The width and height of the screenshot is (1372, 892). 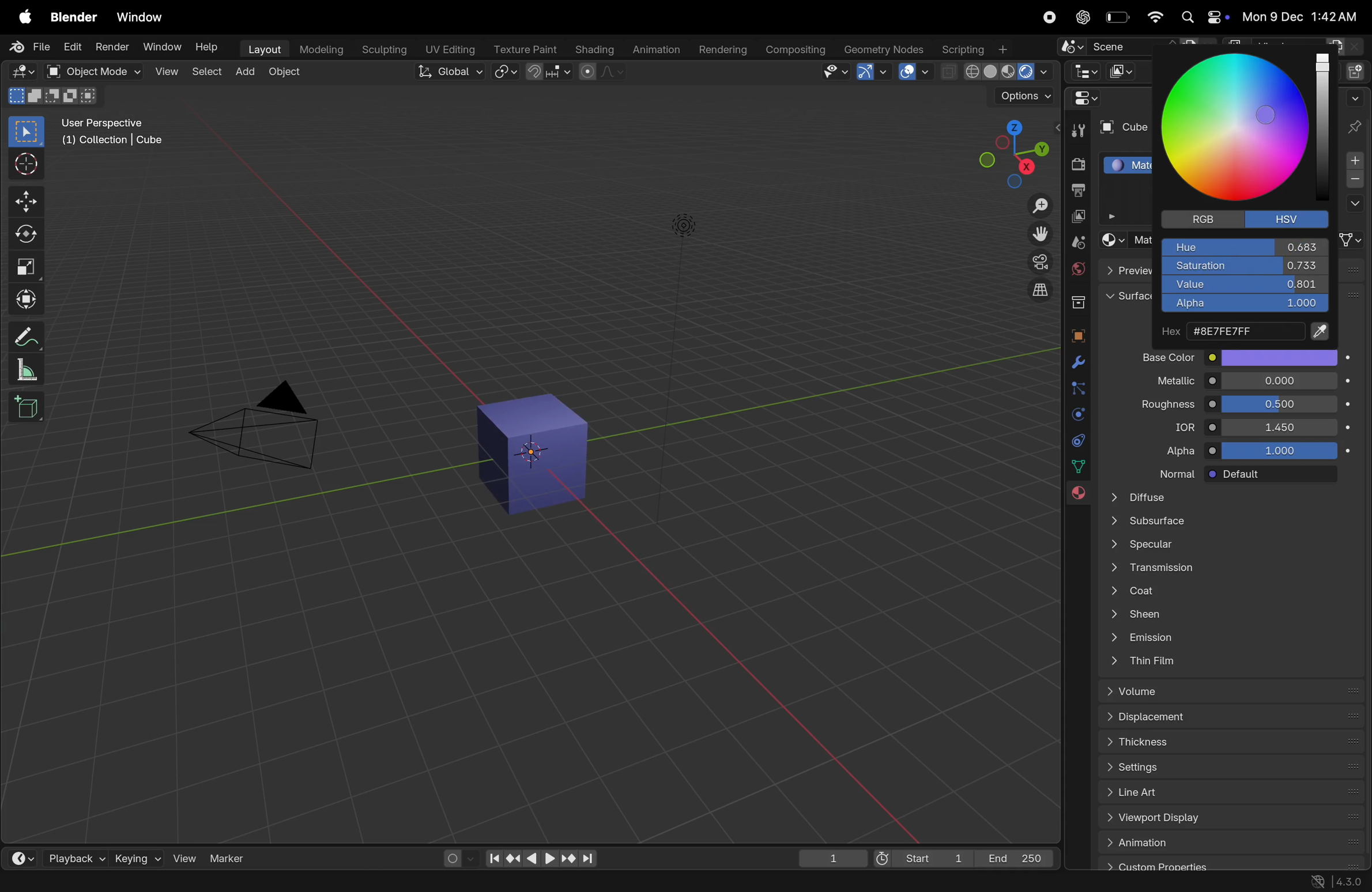 What do you see at coordinates (73, 46) in the screenshot?
I see `Edit` at bounding box center [73, 46].